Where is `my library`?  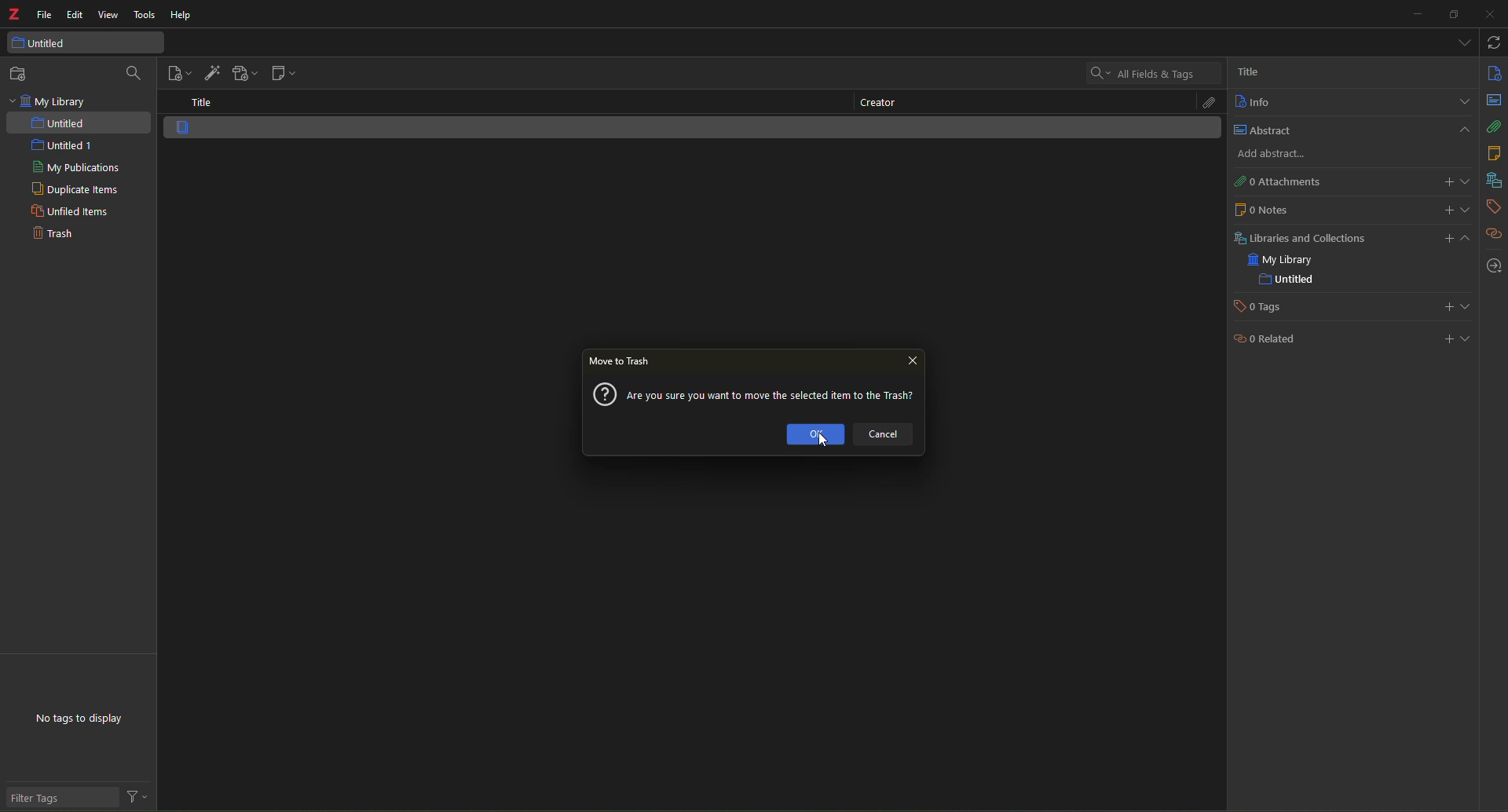 my library is located at coordinates (50, 101).